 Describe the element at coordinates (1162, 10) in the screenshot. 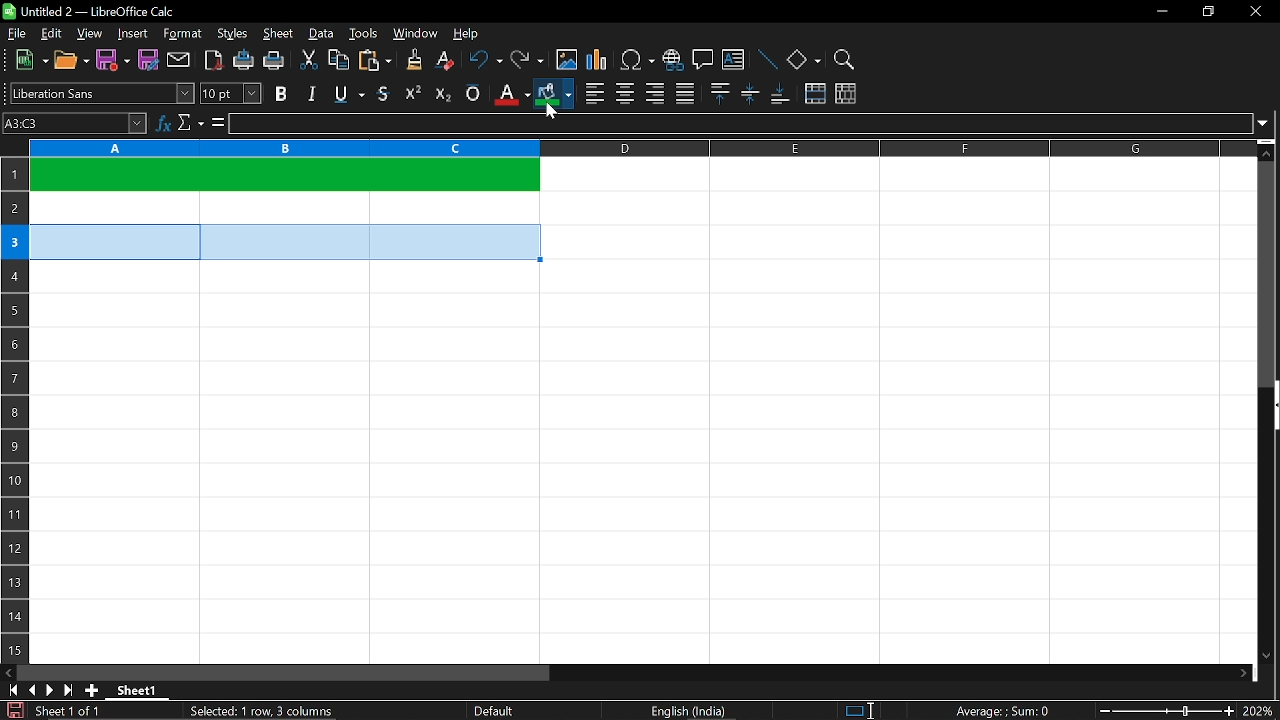

I see `minimize` at that location.